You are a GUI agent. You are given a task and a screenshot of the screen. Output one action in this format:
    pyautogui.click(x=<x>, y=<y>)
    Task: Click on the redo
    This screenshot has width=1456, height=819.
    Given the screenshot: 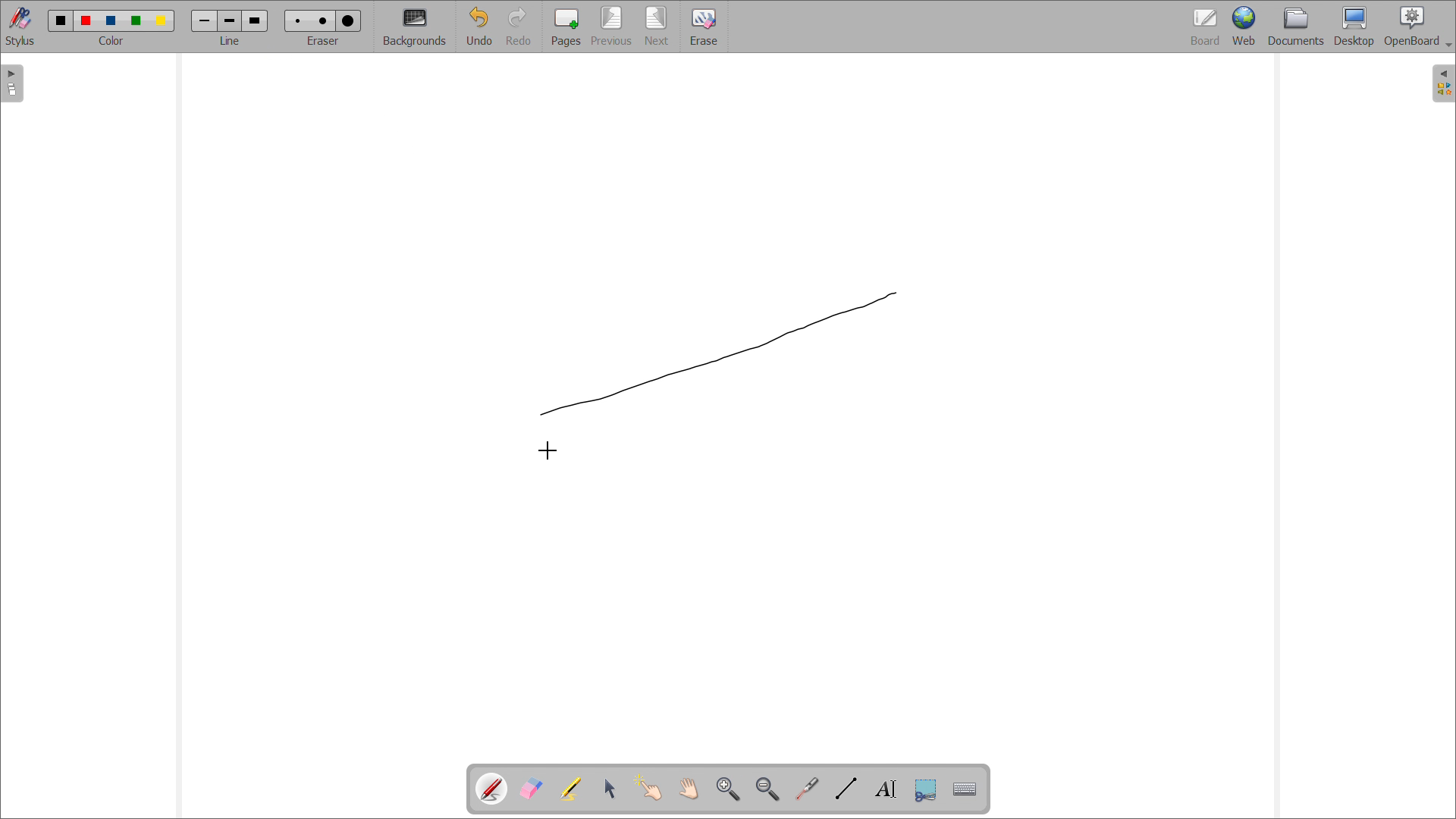 What is the action you would take?
    pyautogui.click(x=519, y=26)
    